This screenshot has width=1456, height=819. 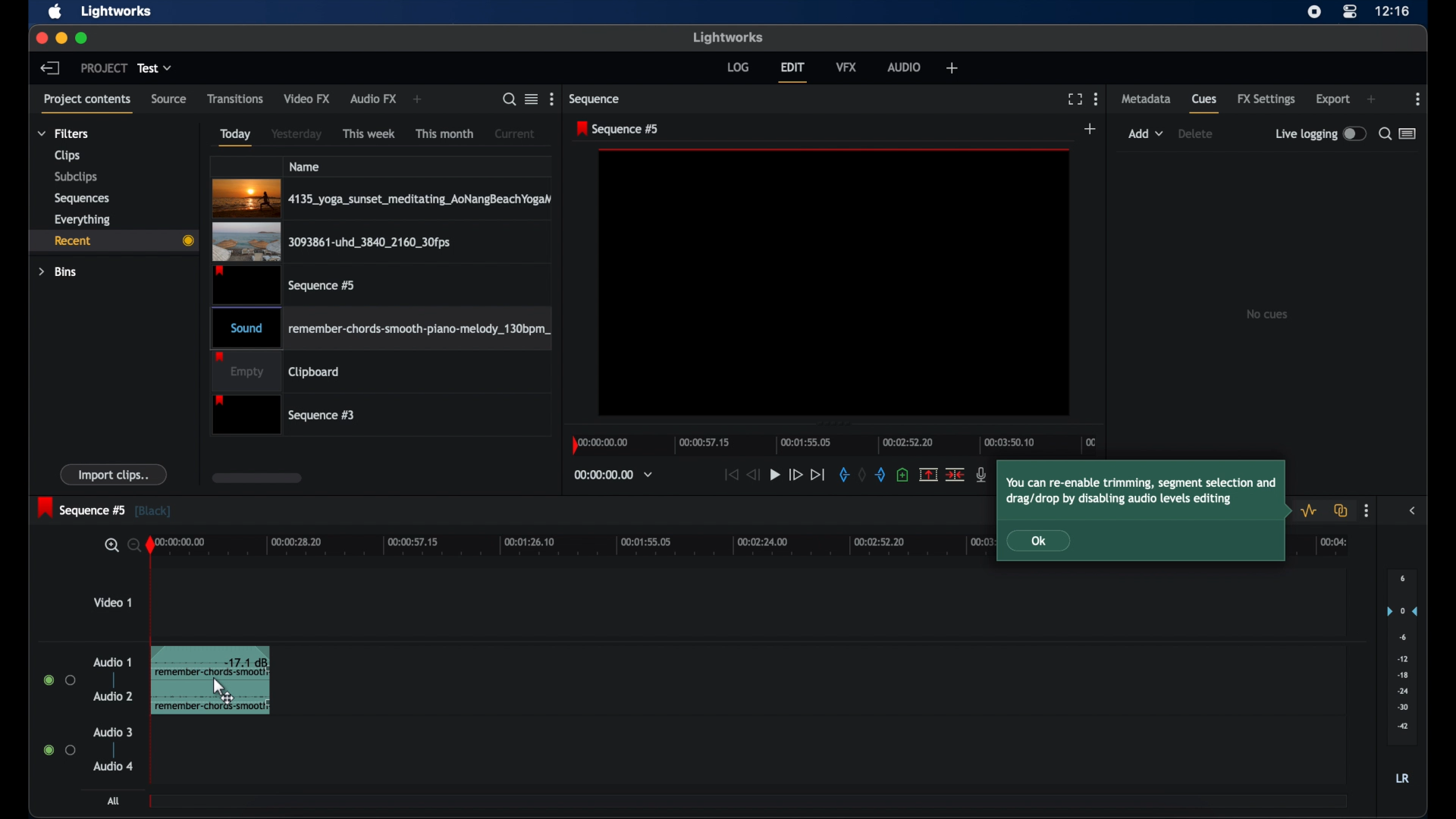 What do you see at coordinates (305, 166) in the screenshot?
I see `name` at bounding box center [305, 166].